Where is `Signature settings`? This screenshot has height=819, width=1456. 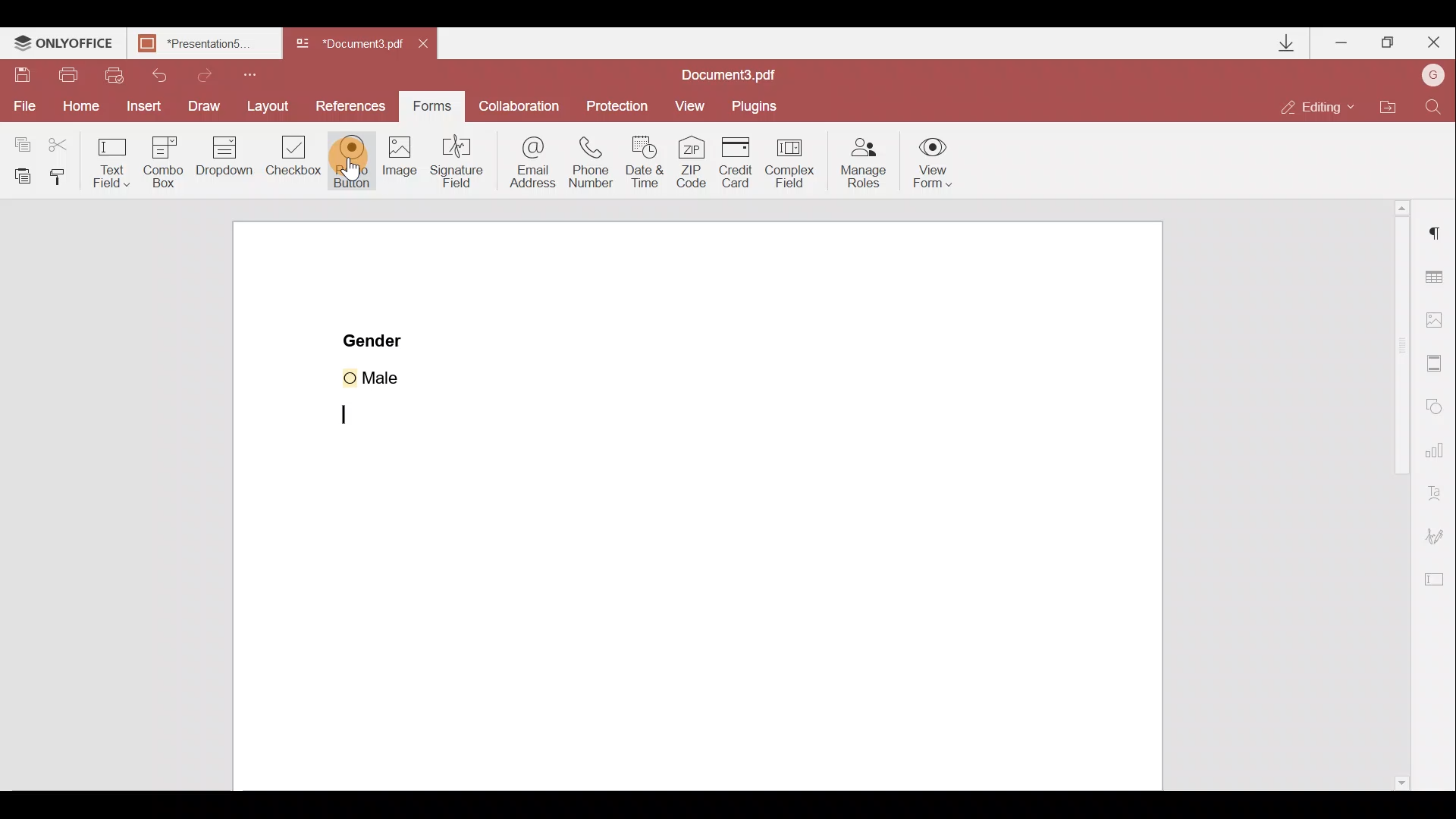 Signature settings is located at coordinates (1442, 536).